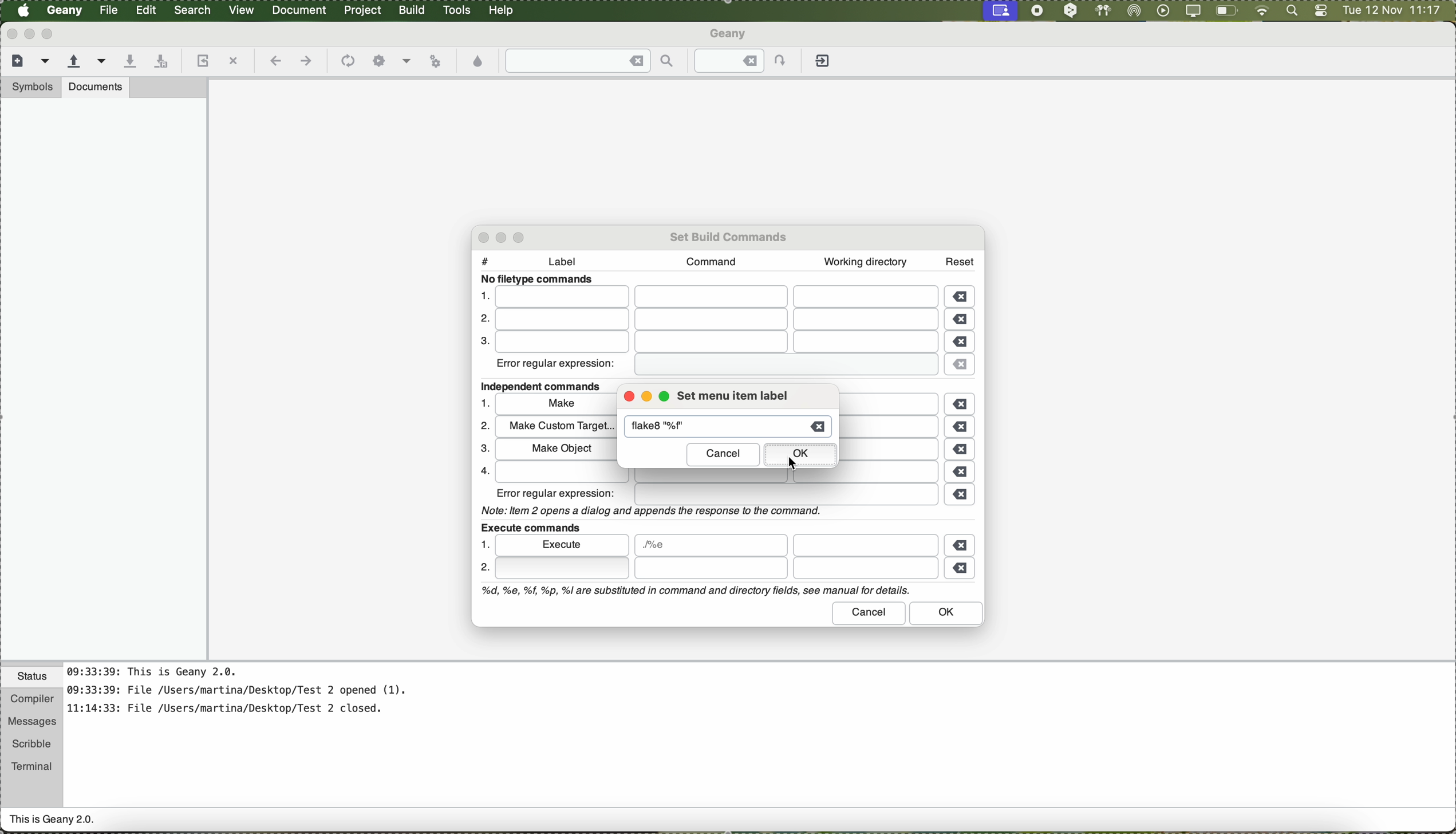 The image size is (1456, 834). What do you see at coordinates (96, 86) in the screenshot?
I see `documents` at bounding box center [96, 86].